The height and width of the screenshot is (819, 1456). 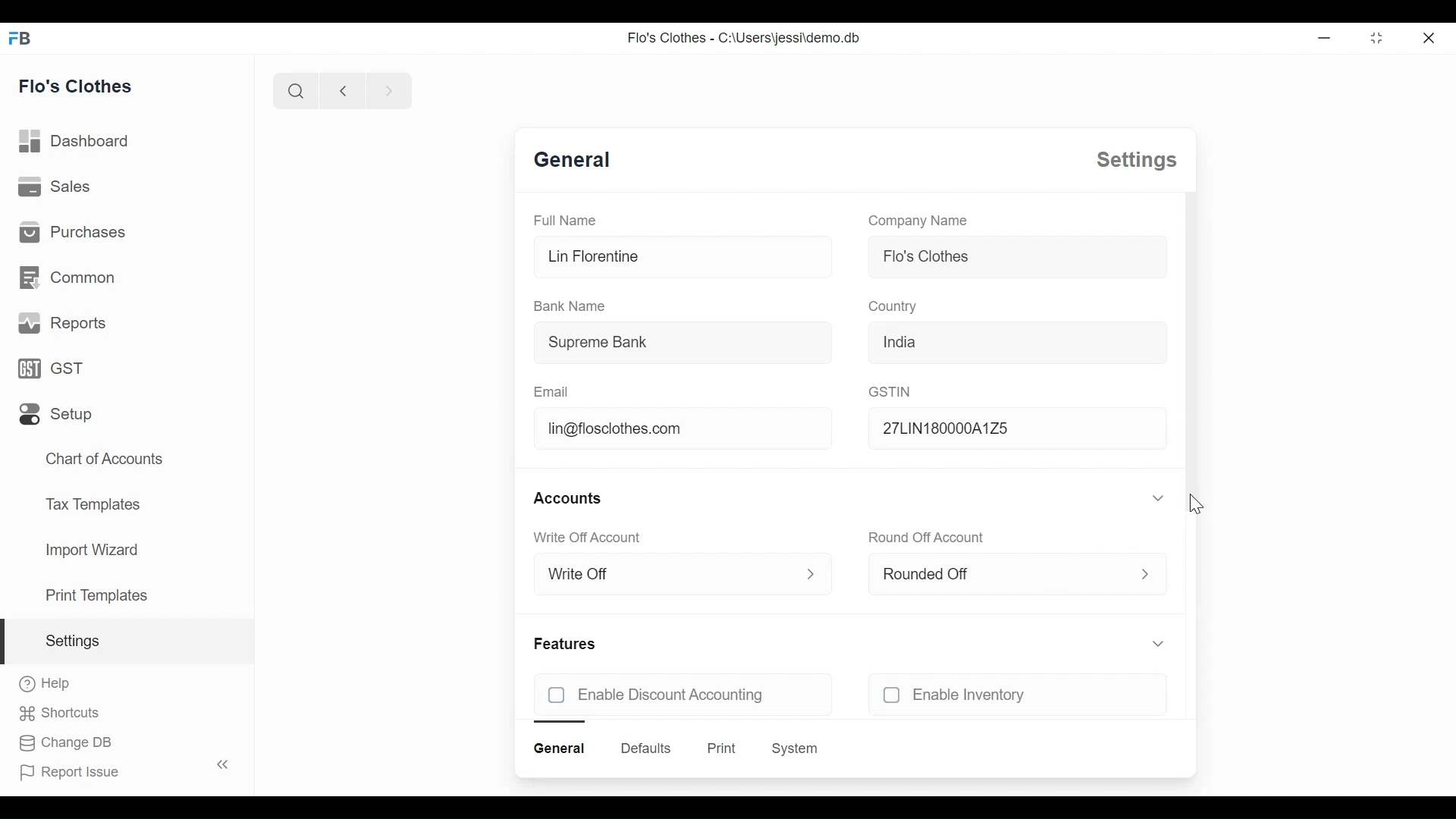 What do you see at coordinates (571, 307) in the screenshot?
I see `Bank Name` at bounding box center [571, 307].